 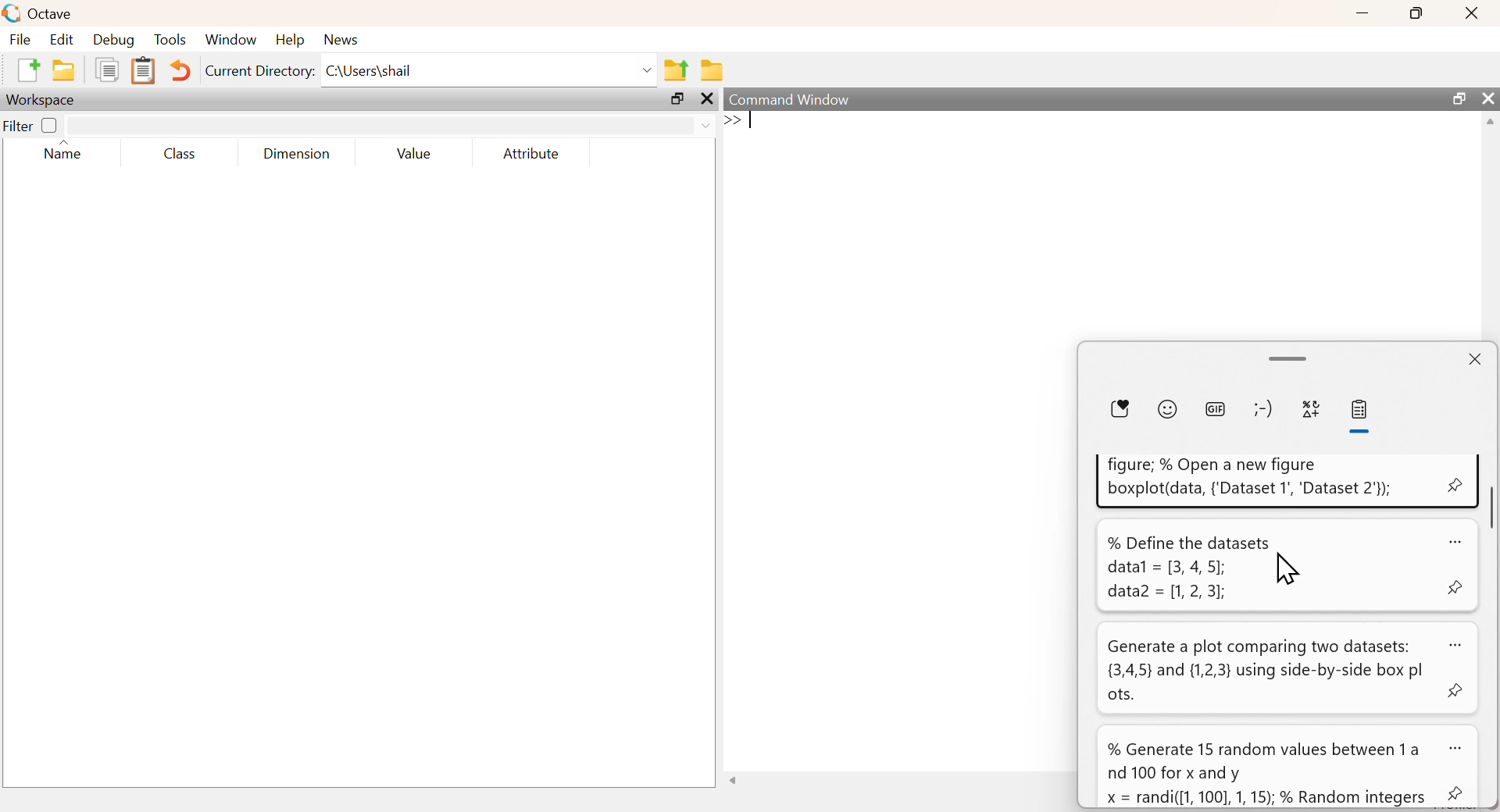 What do you see at coordinates (61, 40) in the screenshot?
I see `Edit` at bounding box center [61, 40].